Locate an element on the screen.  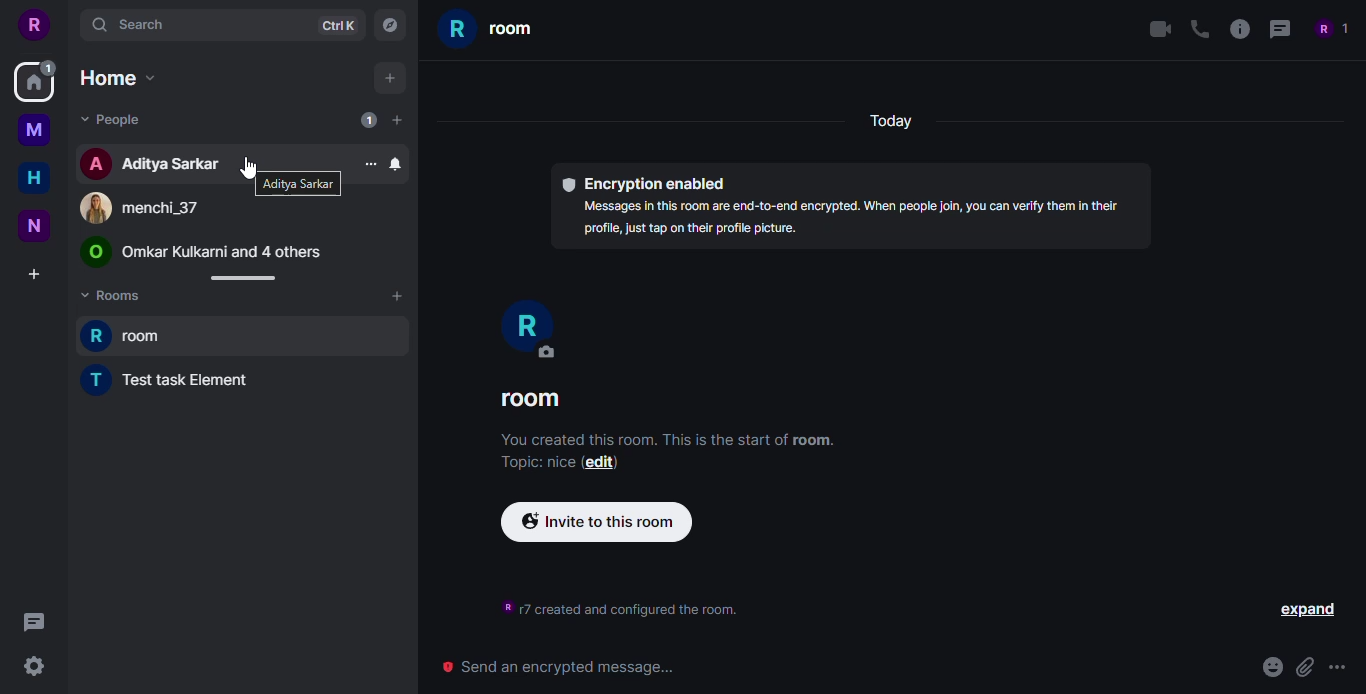
add room is located at coordinates (396, 296).